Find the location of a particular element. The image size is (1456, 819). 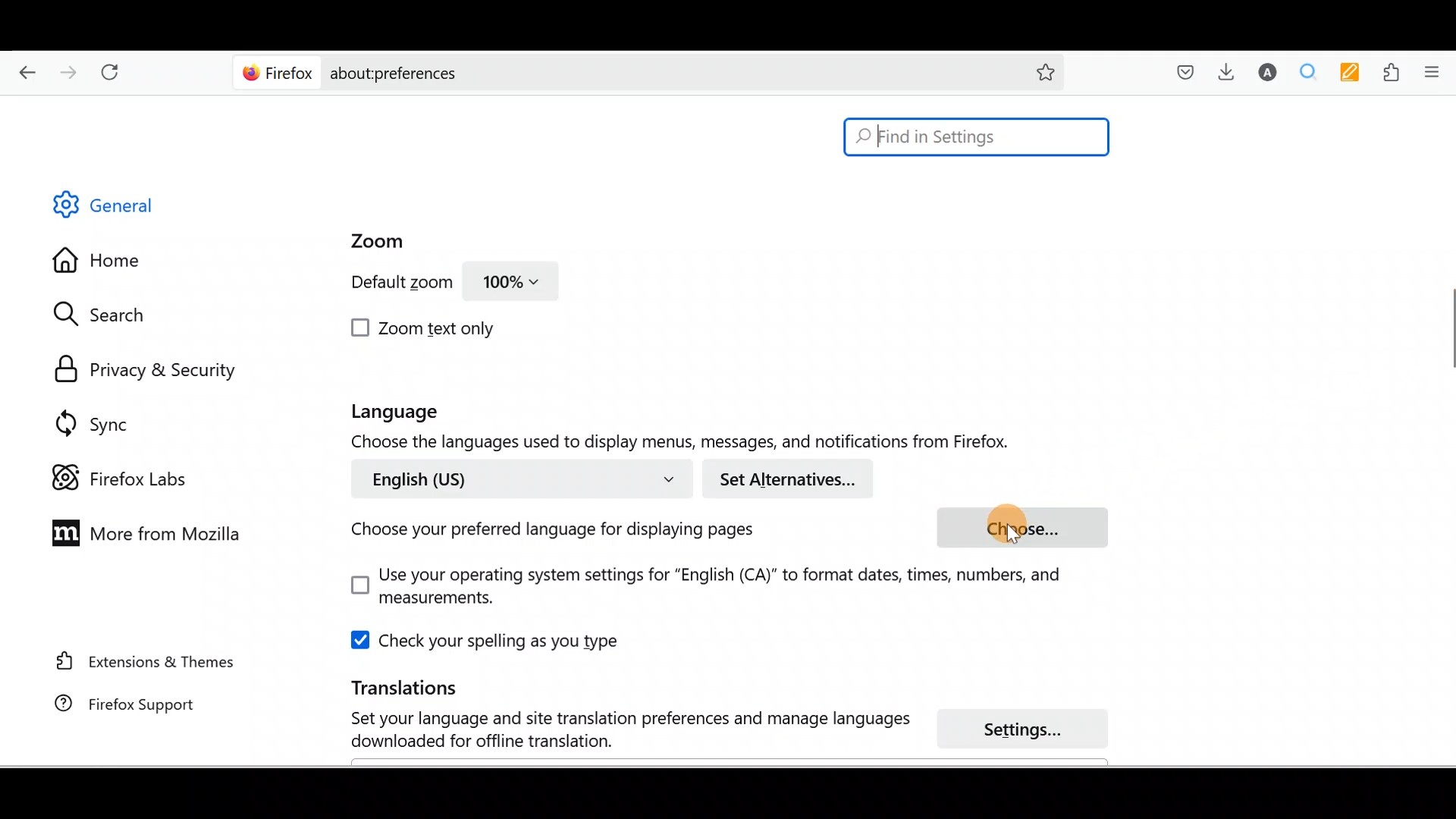

Choose the languages used to display menu, messages and notifications from Firefox is located at coordinates (694, 444).